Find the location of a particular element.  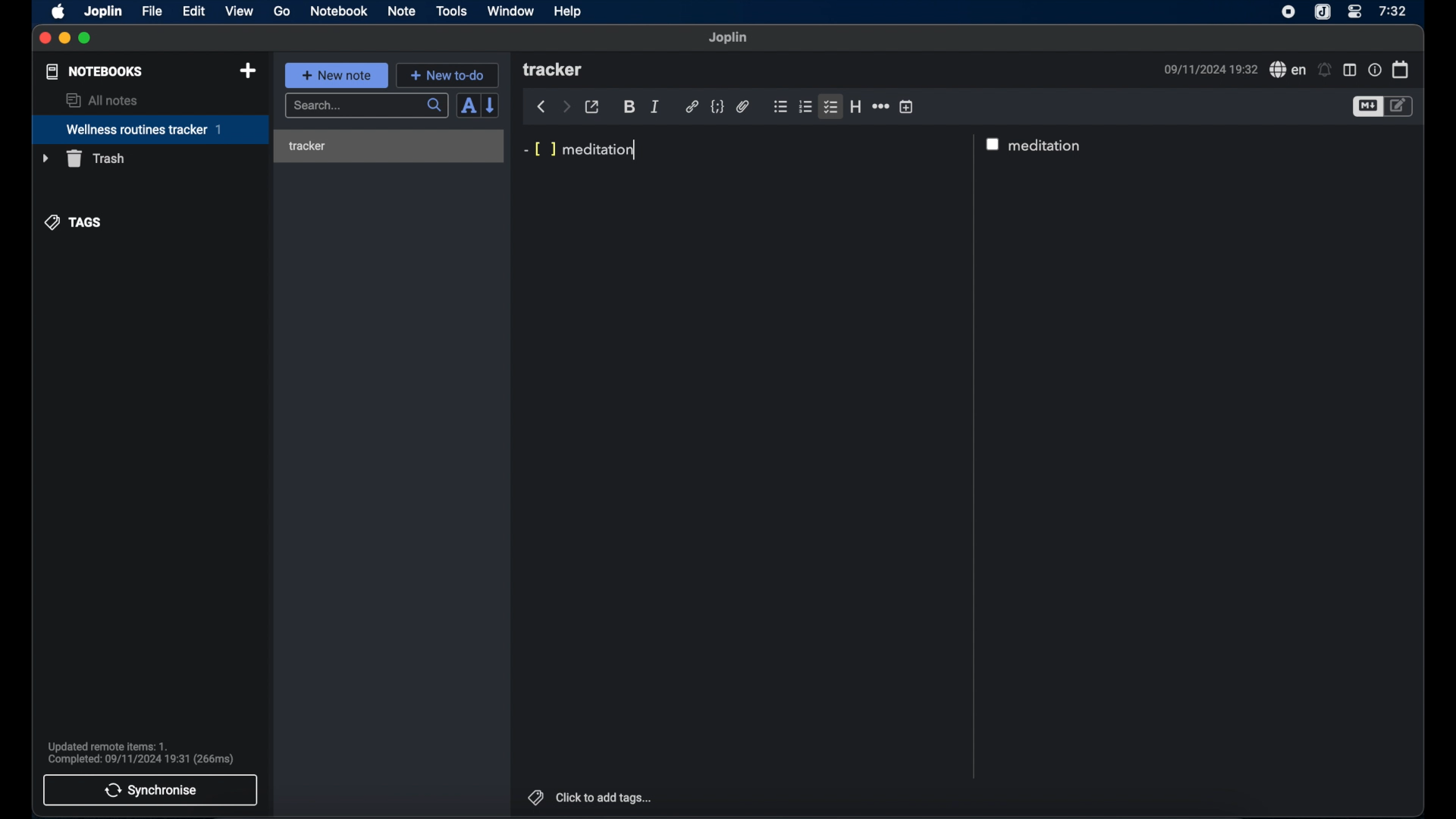

all notes is located at coordinates (101, 100).